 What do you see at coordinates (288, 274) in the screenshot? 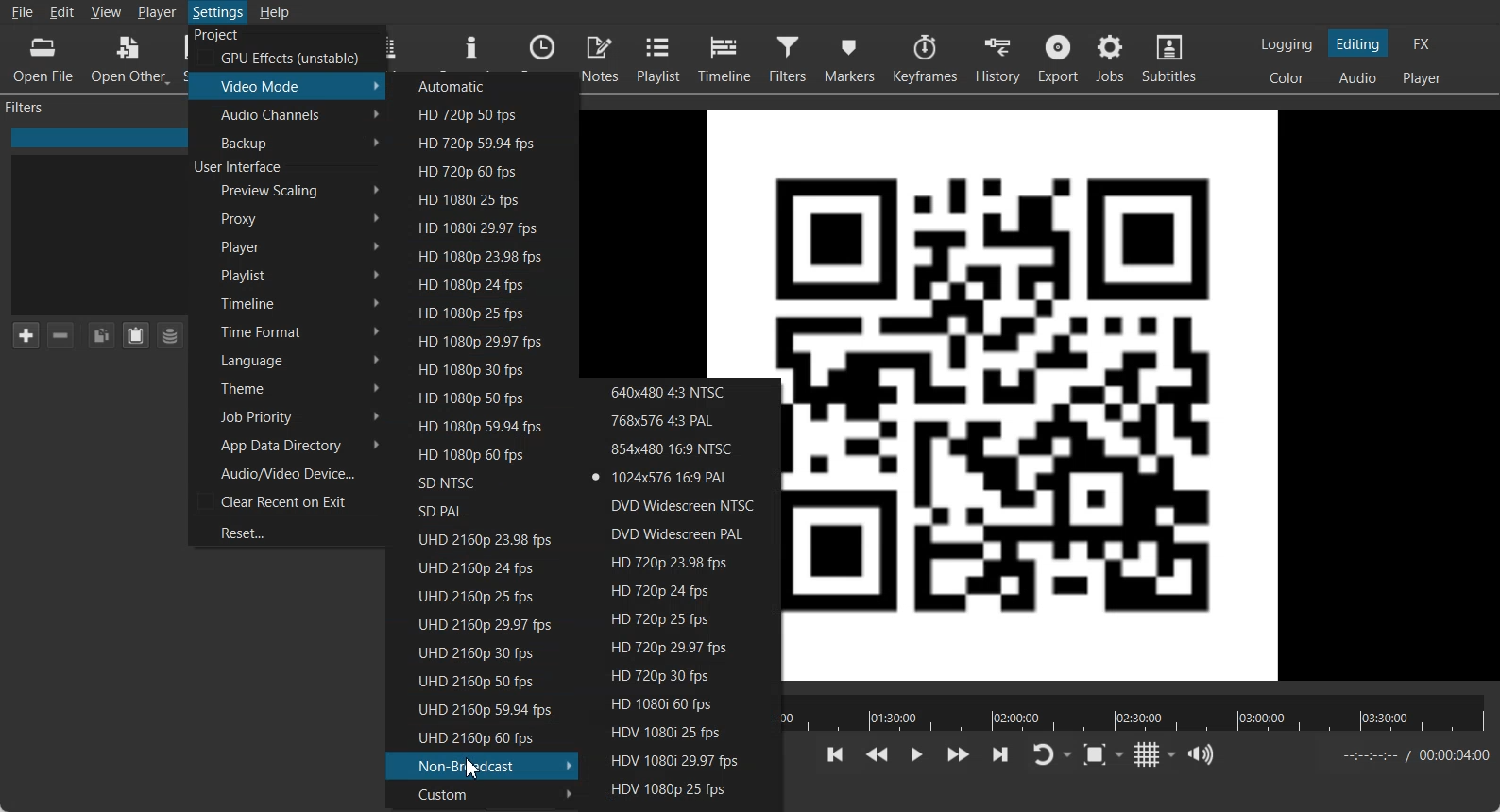
I see `Playlist` at bounding box center [288, 274].